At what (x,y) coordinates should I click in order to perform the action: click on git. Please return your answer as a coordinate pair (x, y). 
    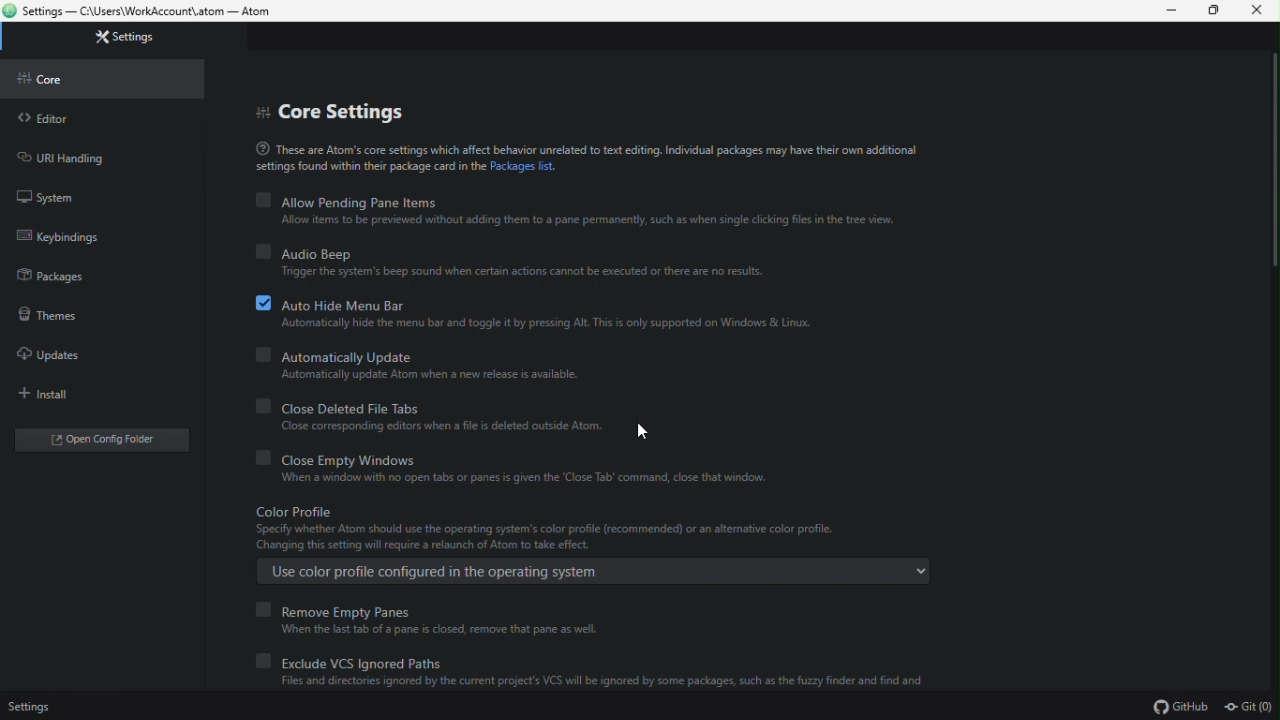
    Looking at the image, I should click on (1250, 709).